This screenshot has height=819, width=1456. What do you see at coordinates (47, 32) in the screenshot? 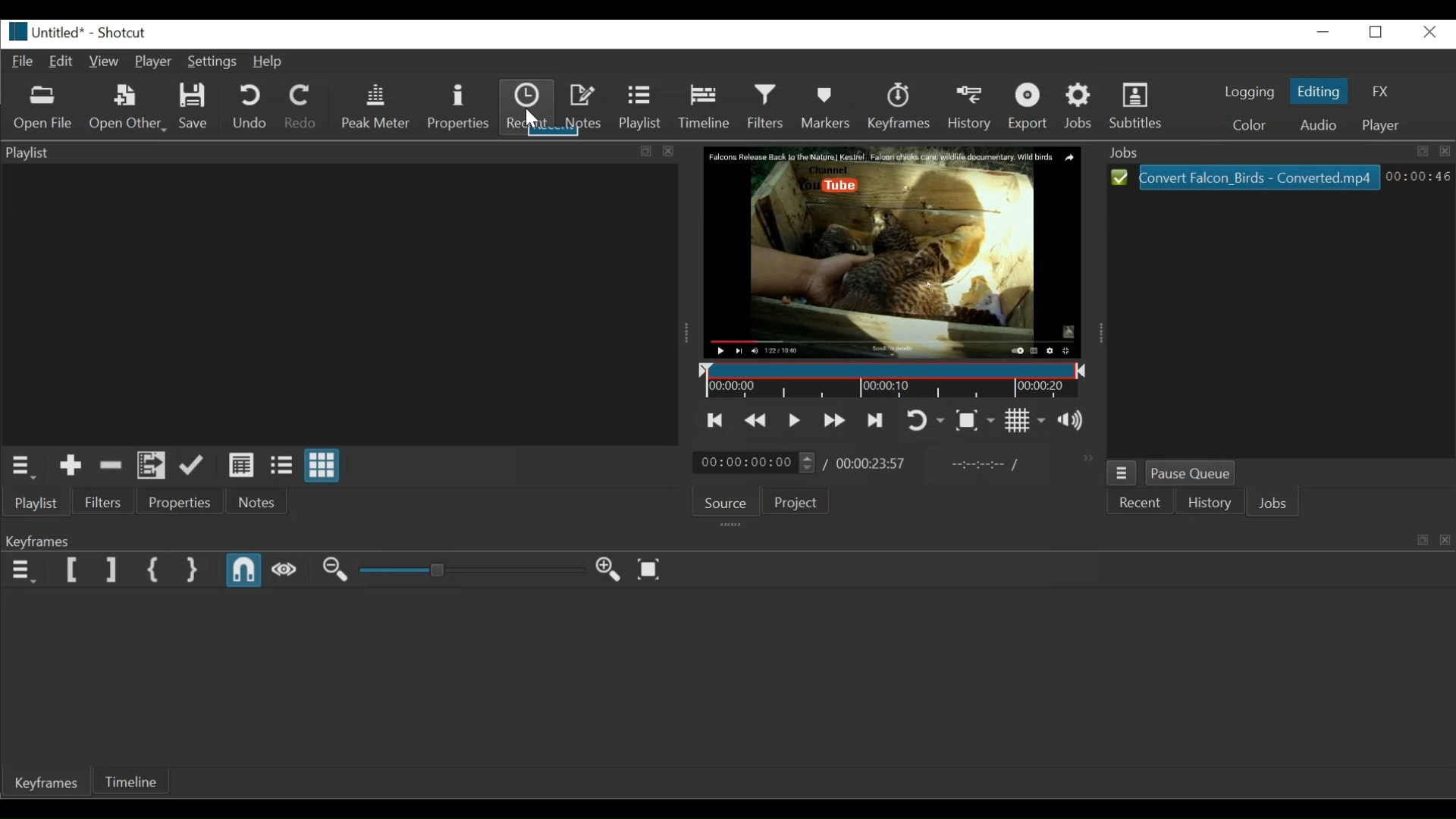
I see `File Name` at bounding box center [47, 32].